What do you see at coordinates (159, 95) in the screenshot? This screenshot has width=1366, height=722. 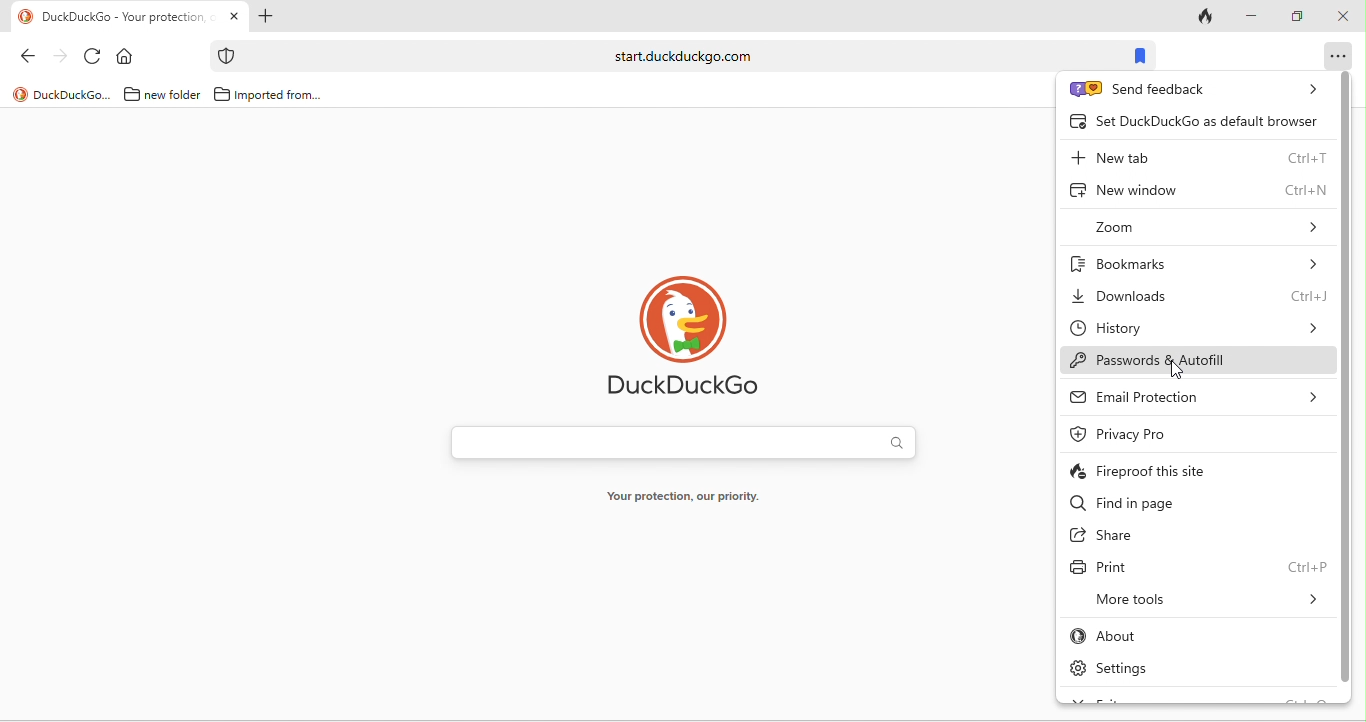 I see `new folder` at bounding box center [159, 95].